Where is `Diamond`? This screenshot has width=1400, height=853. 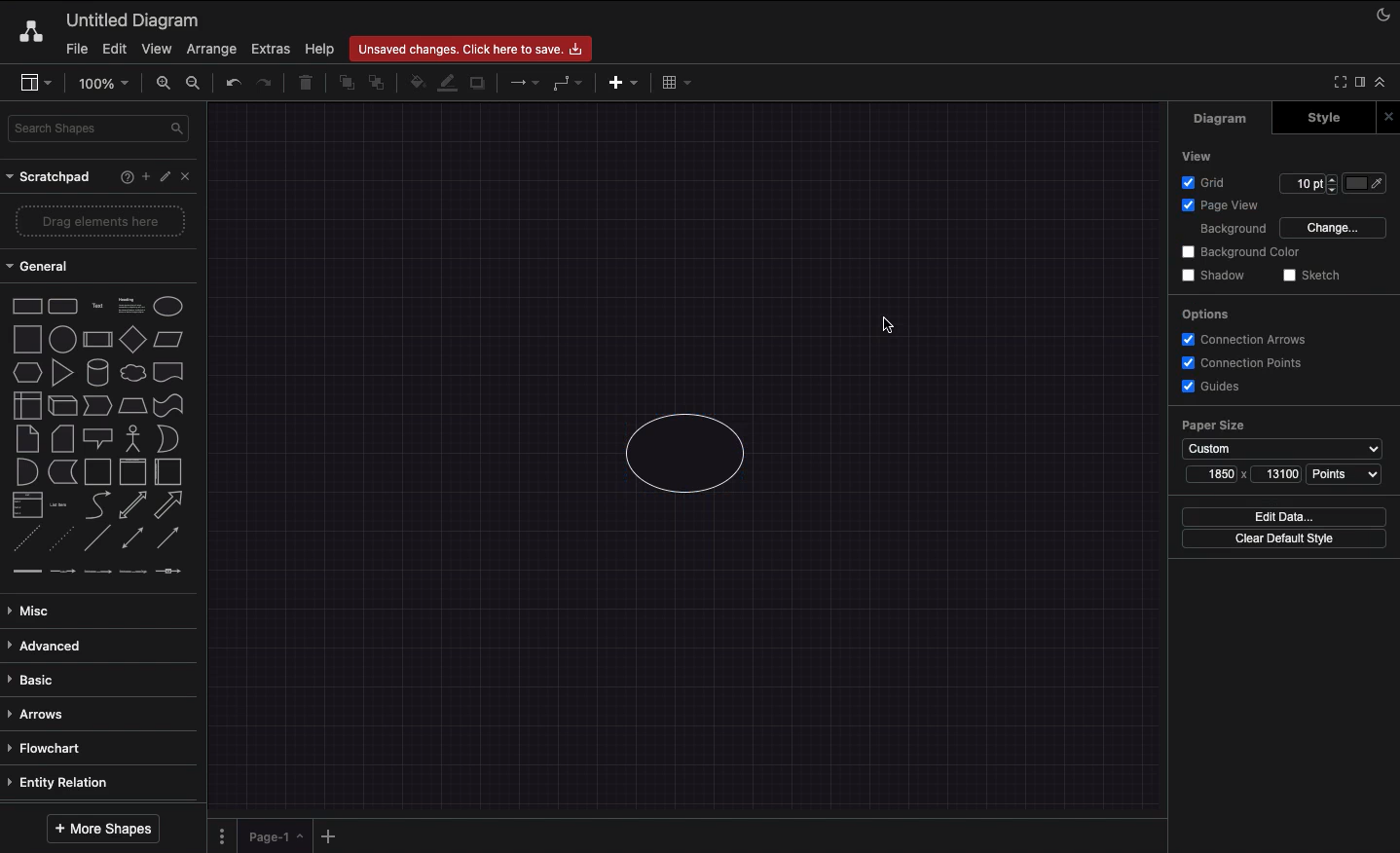
Diamond is located at coordinates (132, 340).